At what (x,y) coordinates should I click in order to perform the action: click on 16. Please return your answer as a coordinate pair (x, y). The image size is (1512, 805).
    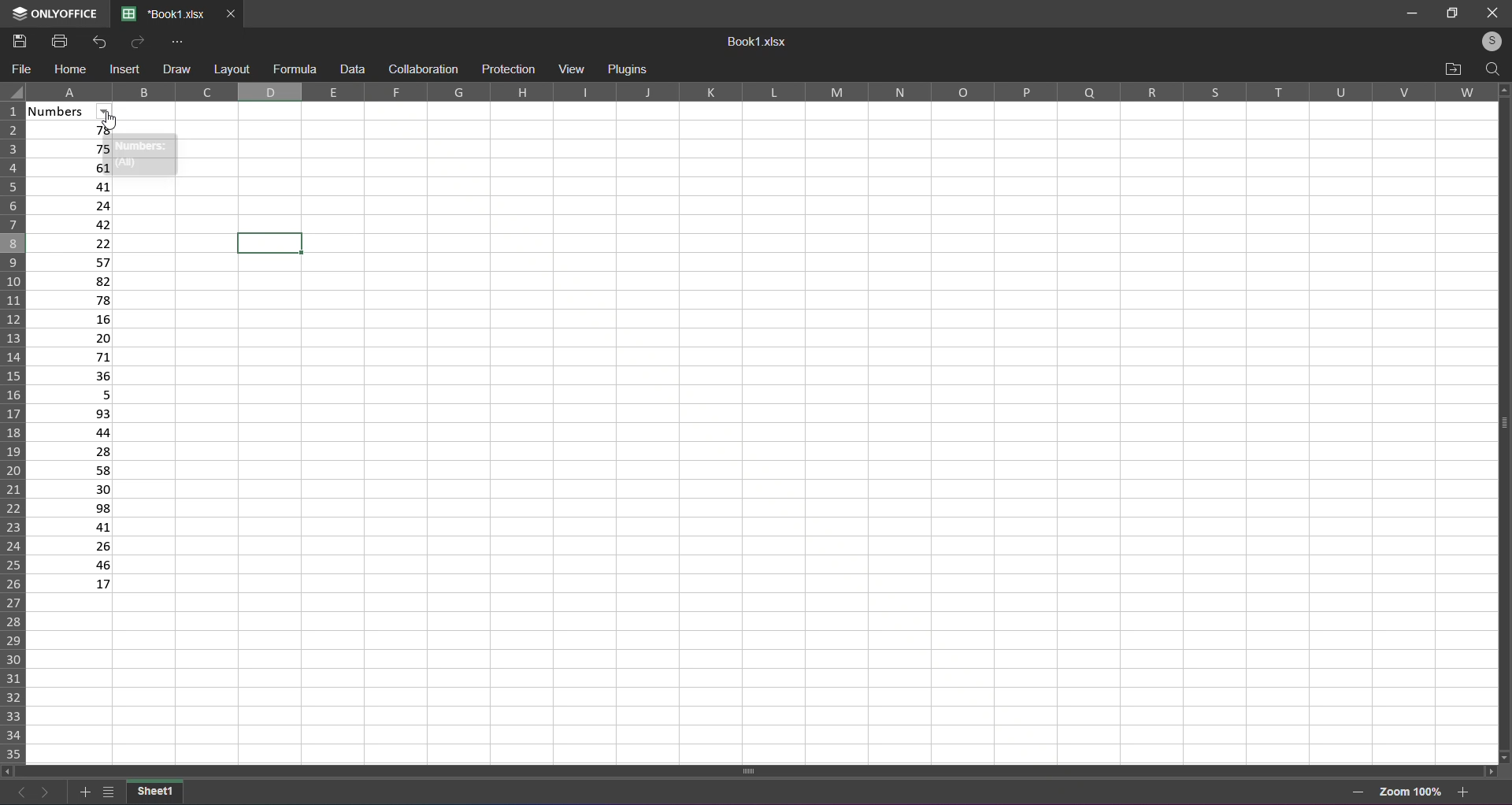
    Looking at the image, I should click on (75, 319).